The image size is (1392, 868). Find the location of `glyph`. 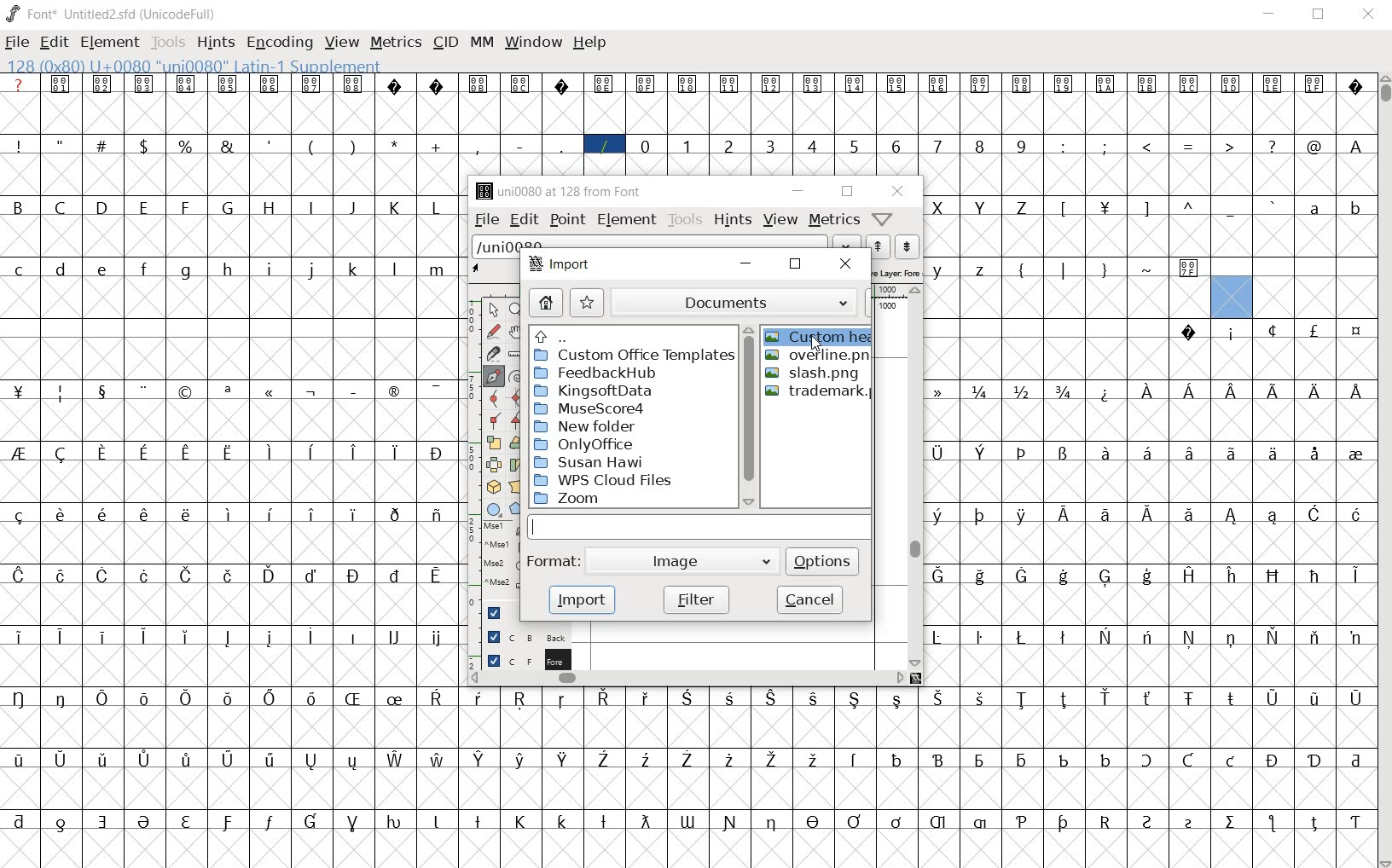

glyph is located at coordinates (101, 698).